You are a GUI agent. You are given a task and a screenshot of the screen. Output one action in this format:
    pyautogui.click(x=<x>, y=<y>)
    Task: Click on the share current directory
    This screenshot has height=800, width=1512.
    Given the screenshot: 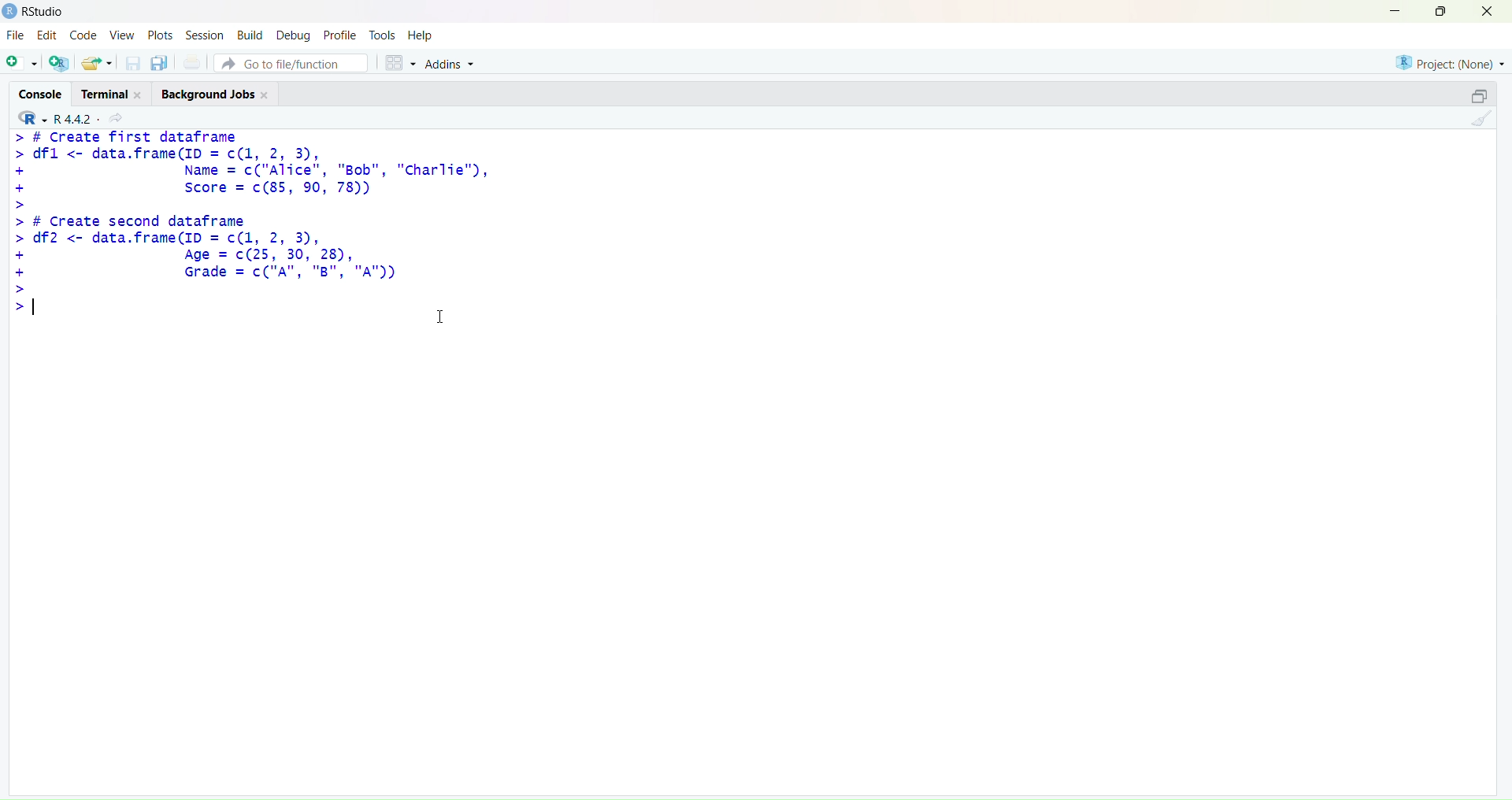 What is the action you would take?
    pyautogui.click(x=116, y=119)
    